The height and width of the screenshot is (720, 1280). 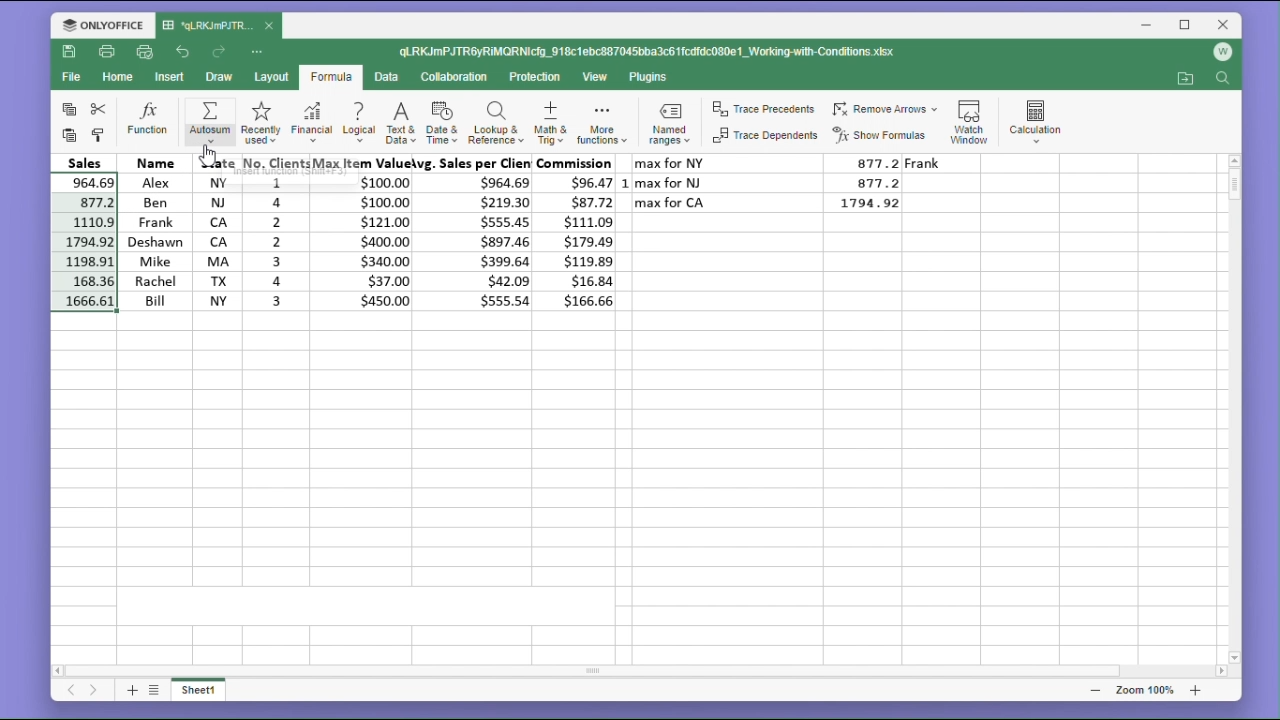 I want to click on states, so click(x=211, y=232).